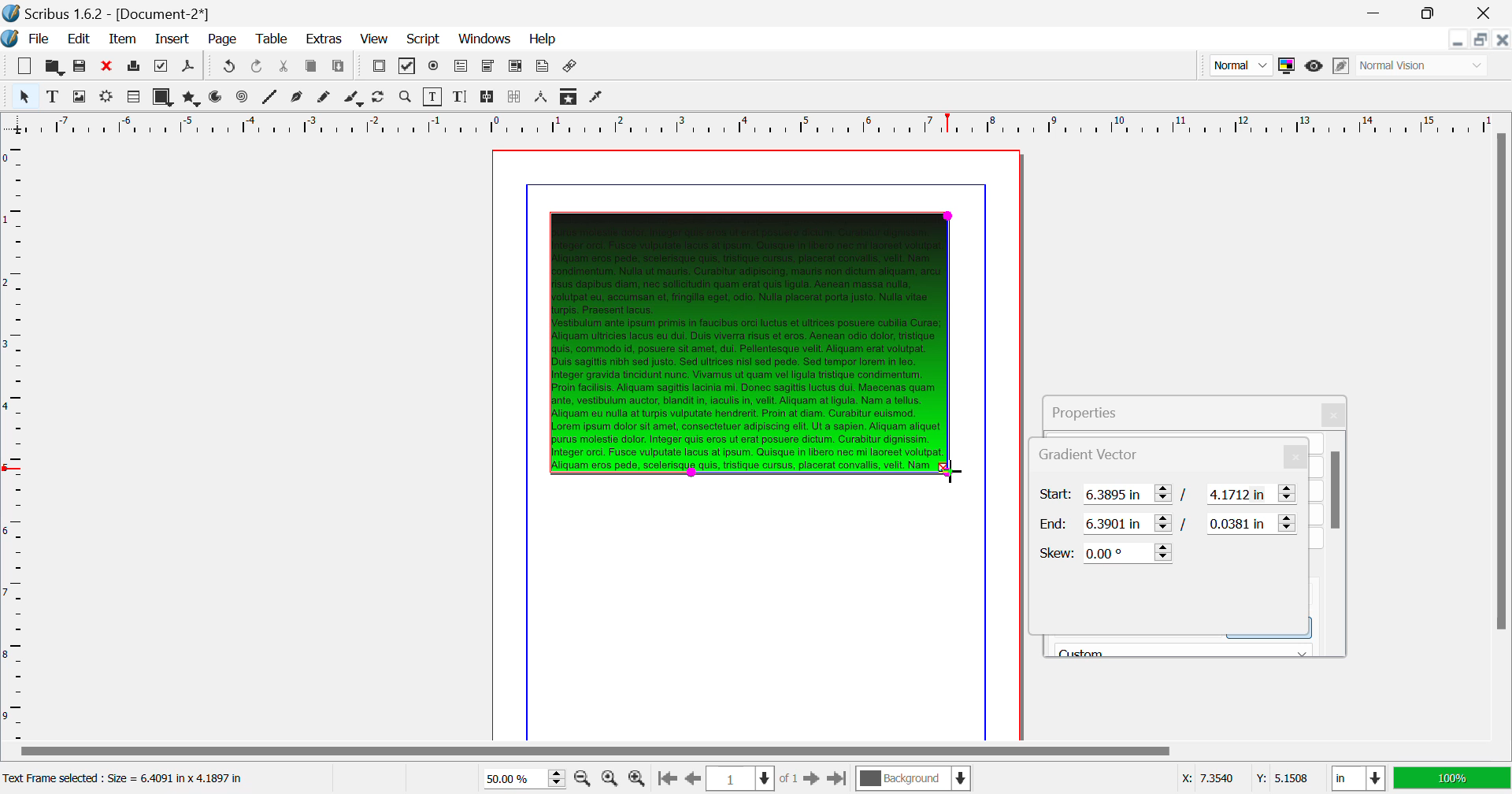 The height and width of the screenshot is (794, 1512). Describe the element at coordinates (1502, 435) in the screenshot. I see `Scroll Bar` at that location.